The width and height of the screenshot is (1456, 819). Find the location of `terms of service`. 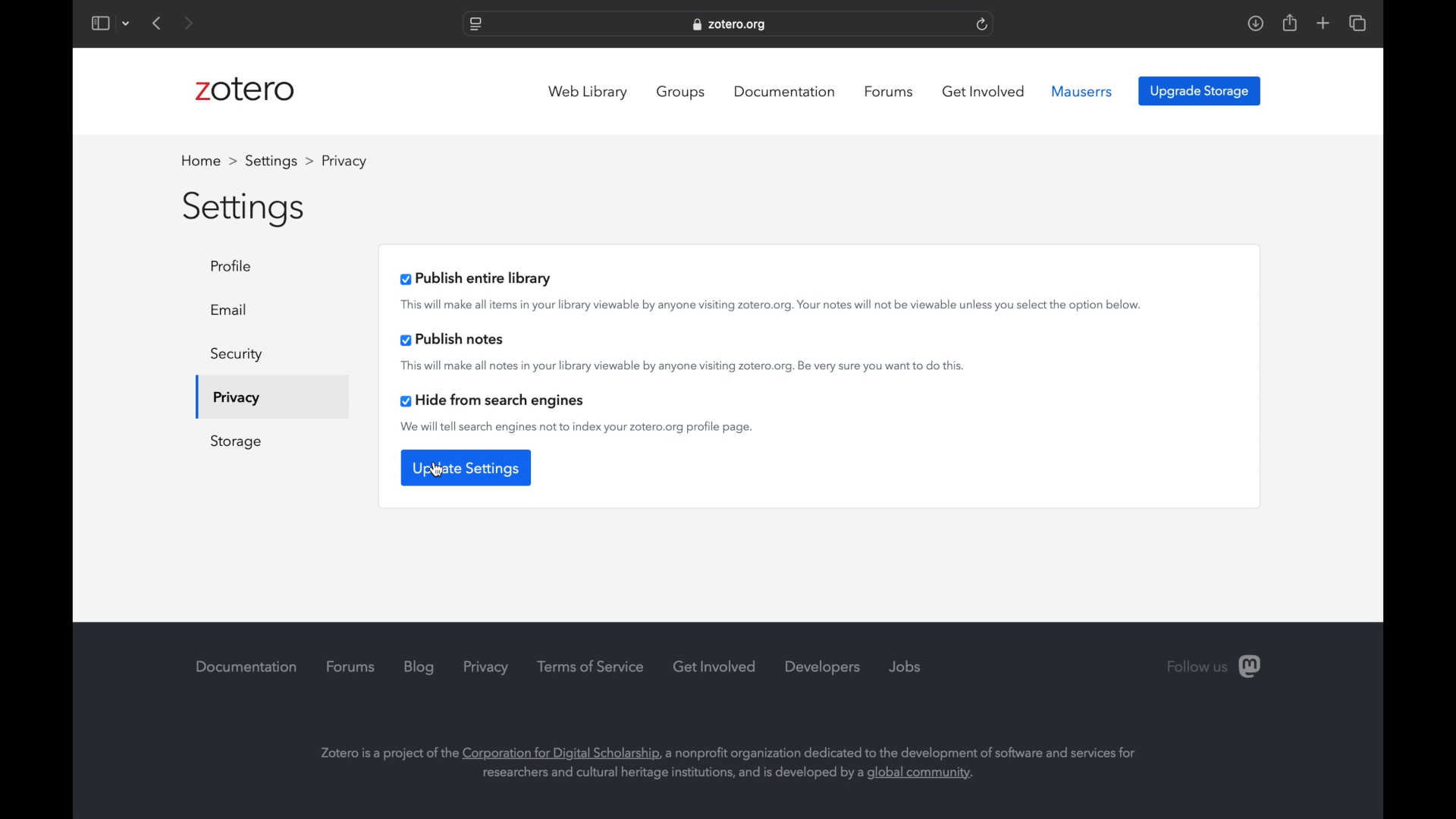

terms of service is located at coordinates (592, 667).